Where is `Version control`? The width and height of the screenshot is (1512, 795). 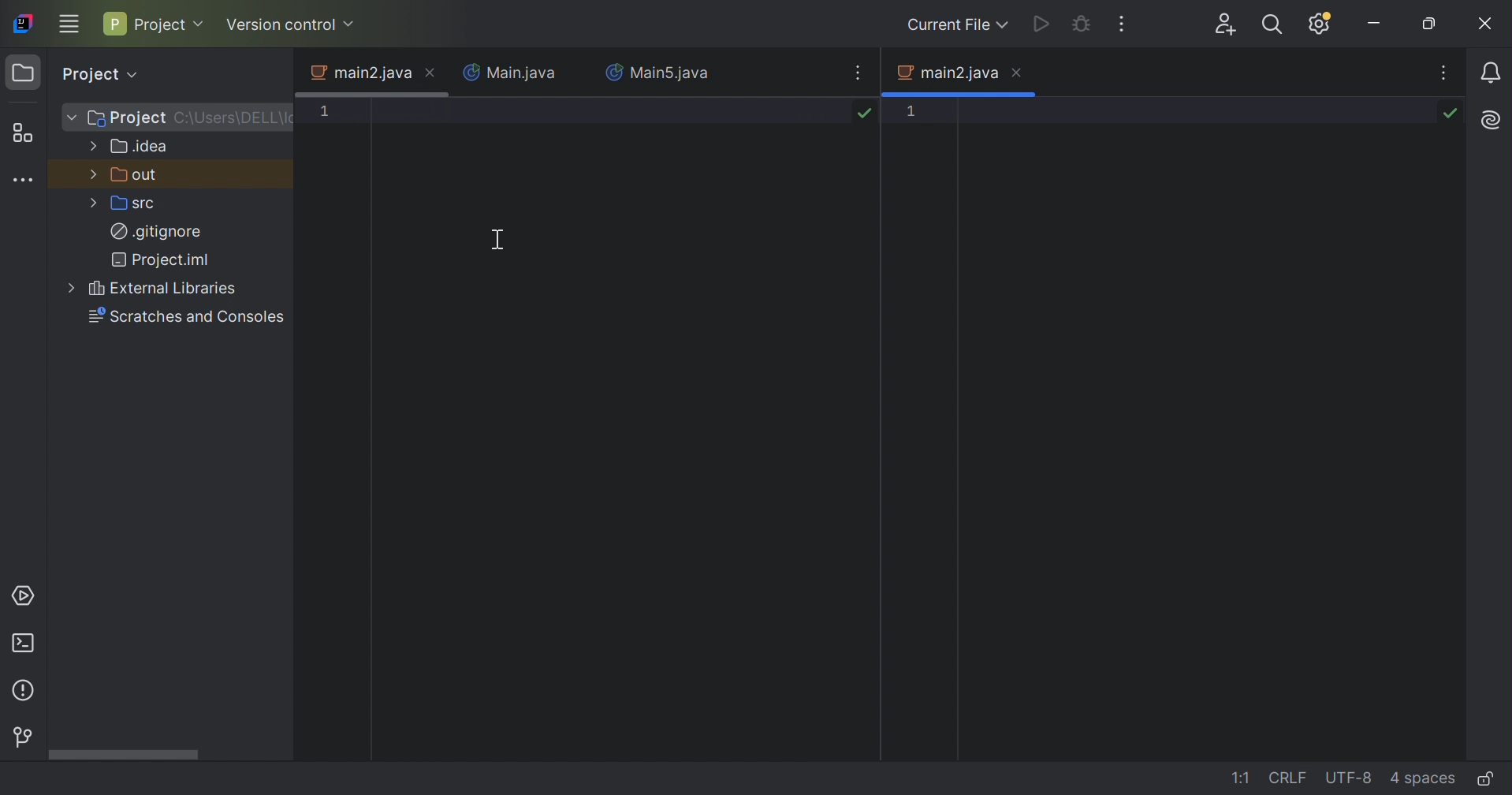 Version control is located at coordinates (19, 738).